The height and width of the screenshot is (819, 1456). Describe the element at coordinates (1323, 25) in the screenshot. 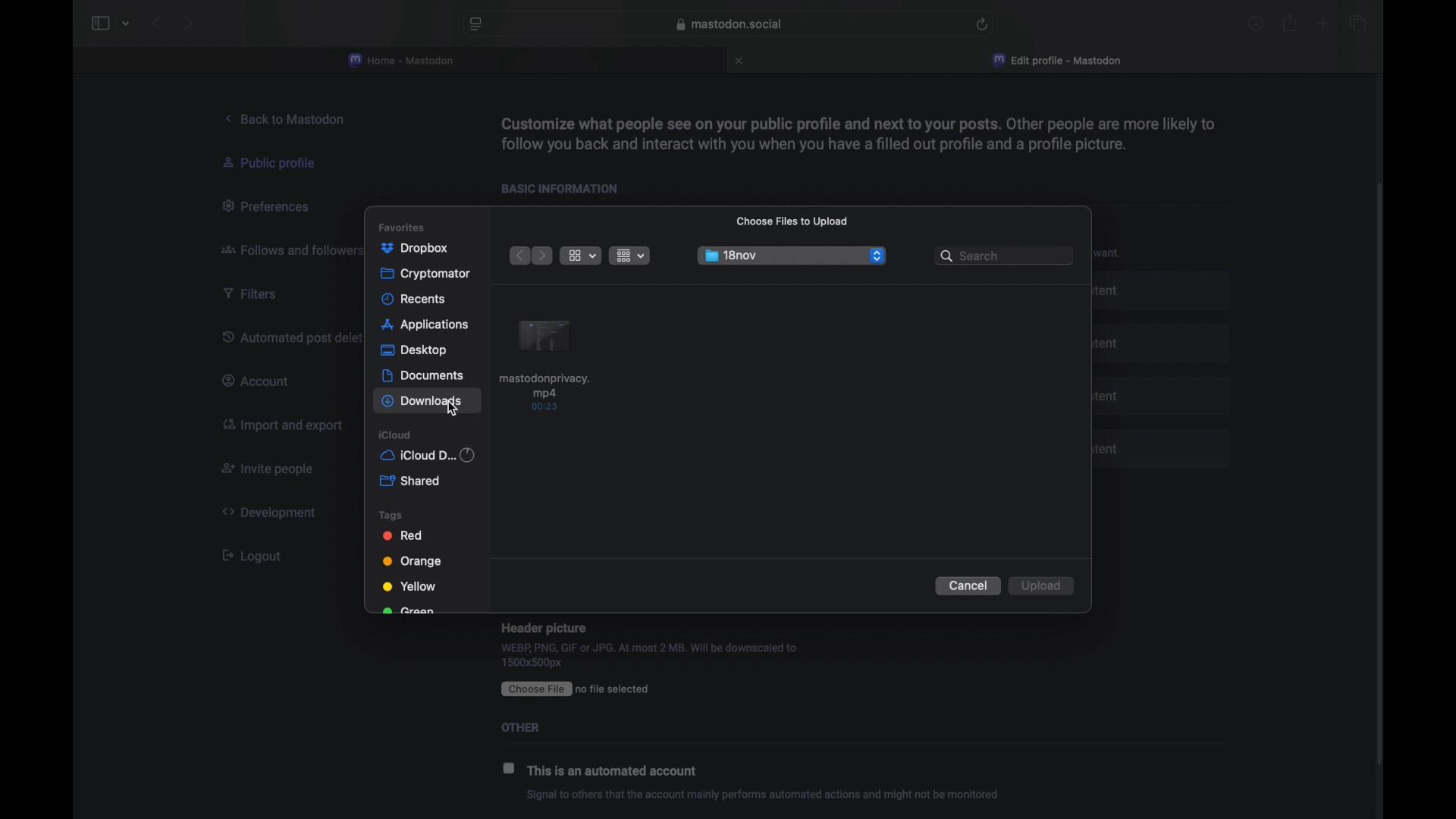

I see `new tab` at that location.